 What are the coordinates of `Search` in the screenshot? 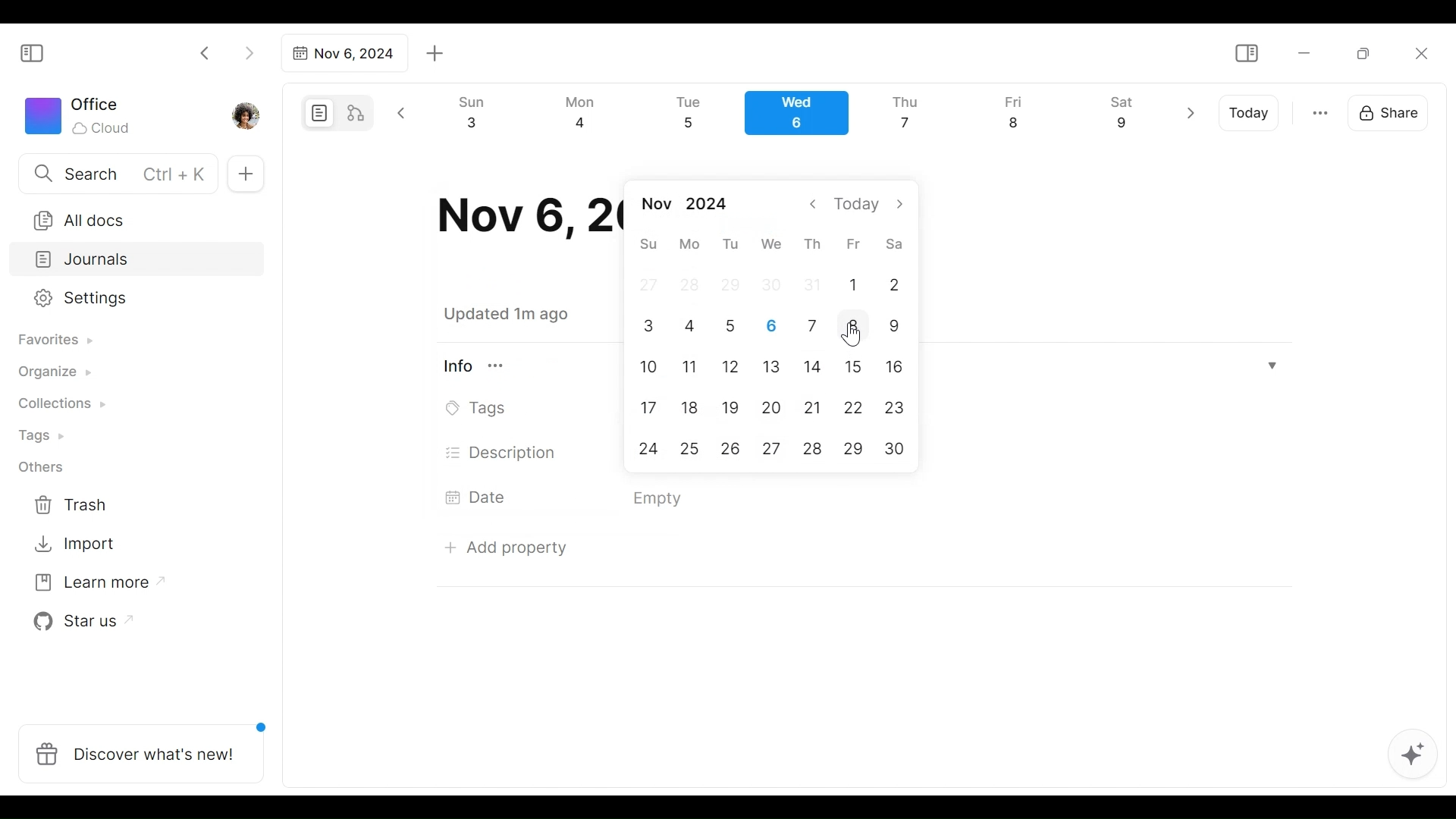 It's located at (116, 173).